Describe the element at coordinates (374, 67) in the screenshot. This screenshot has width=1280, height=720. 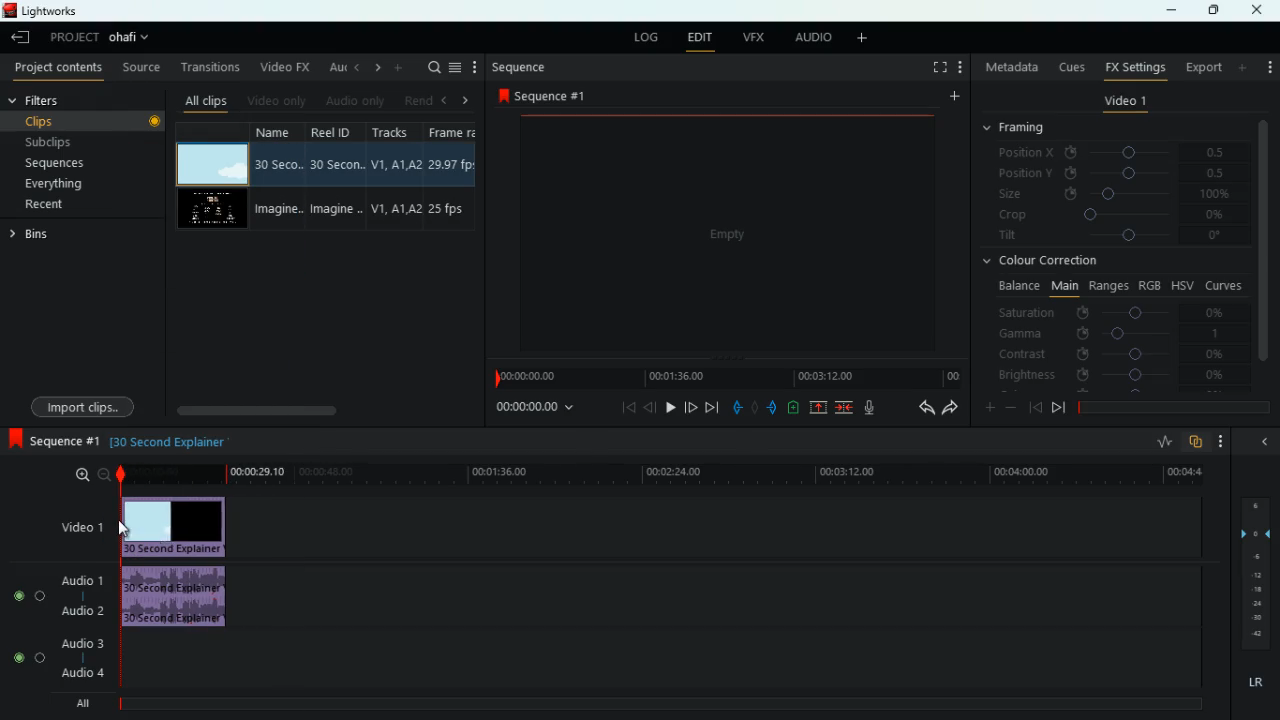
I see `right` at that location.